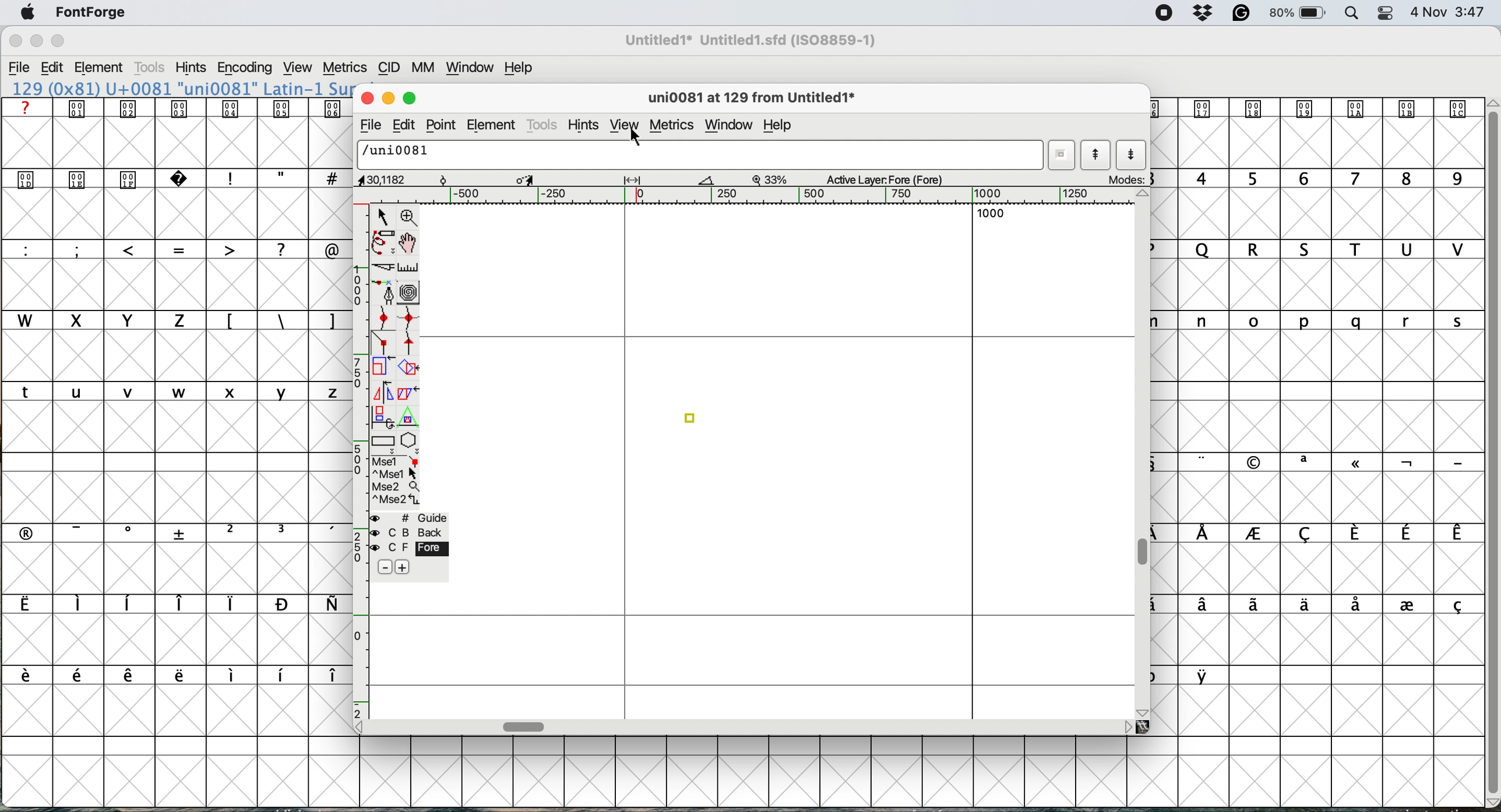 This screenshot has width=1501, height=812. I want to click on Metrics, so click(344, 69).